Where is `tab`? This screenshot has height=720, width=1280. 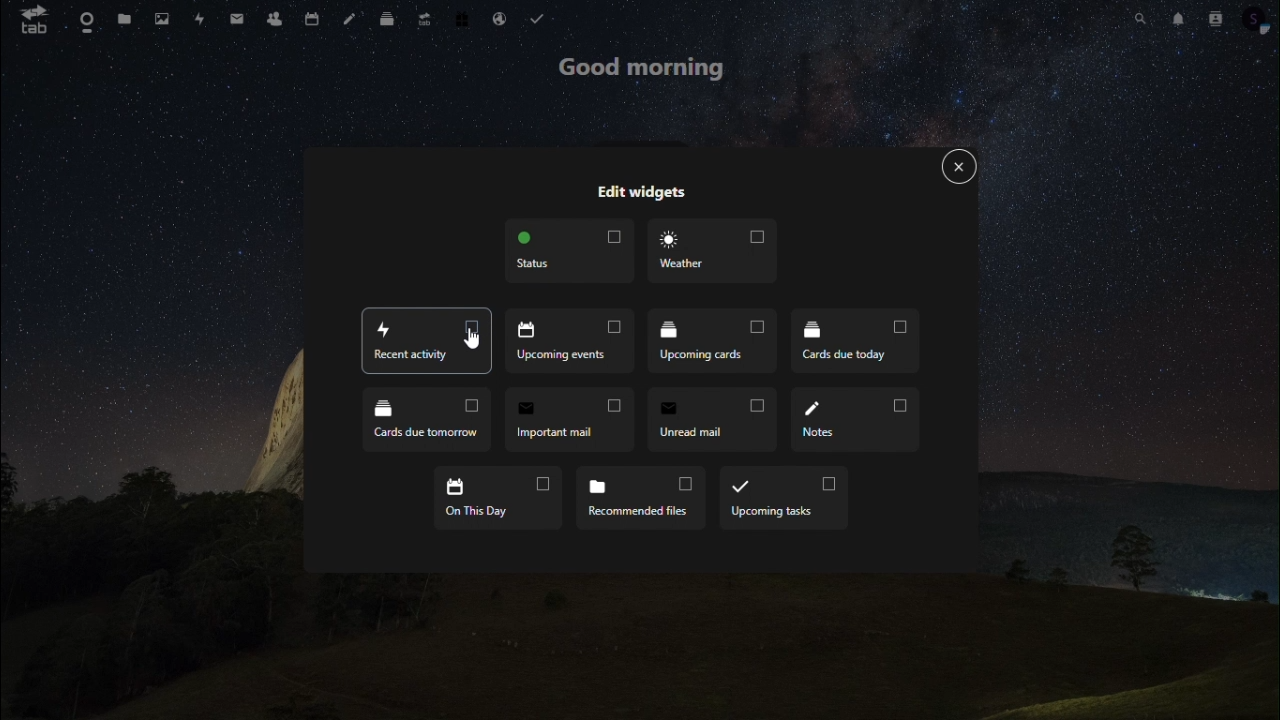 tab is located at coordinates (28, 22).